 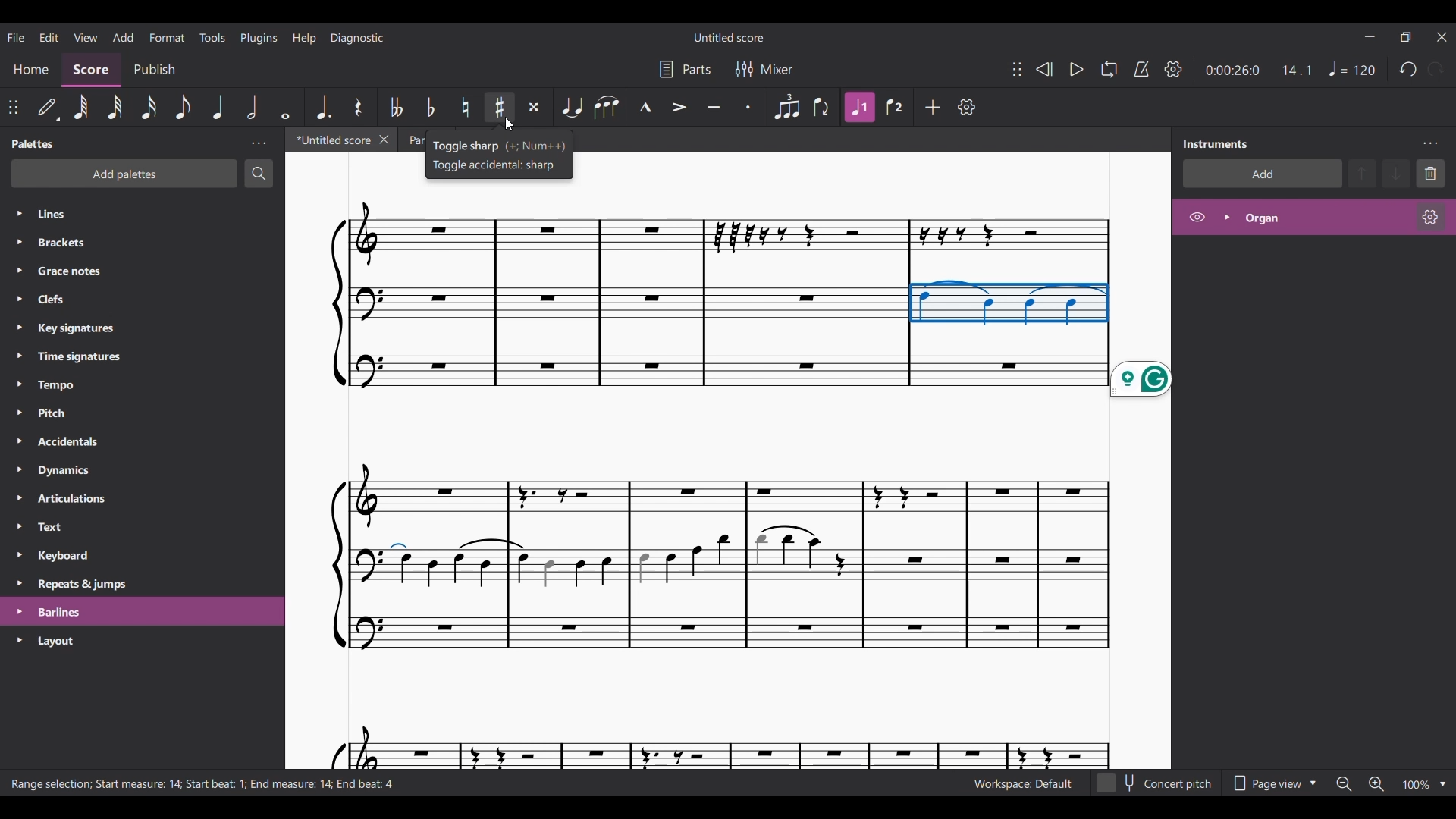 What do you see at coordinates (1430, 174) in the screenshot?
I see `Delete` at bounding box center [1430, 174].